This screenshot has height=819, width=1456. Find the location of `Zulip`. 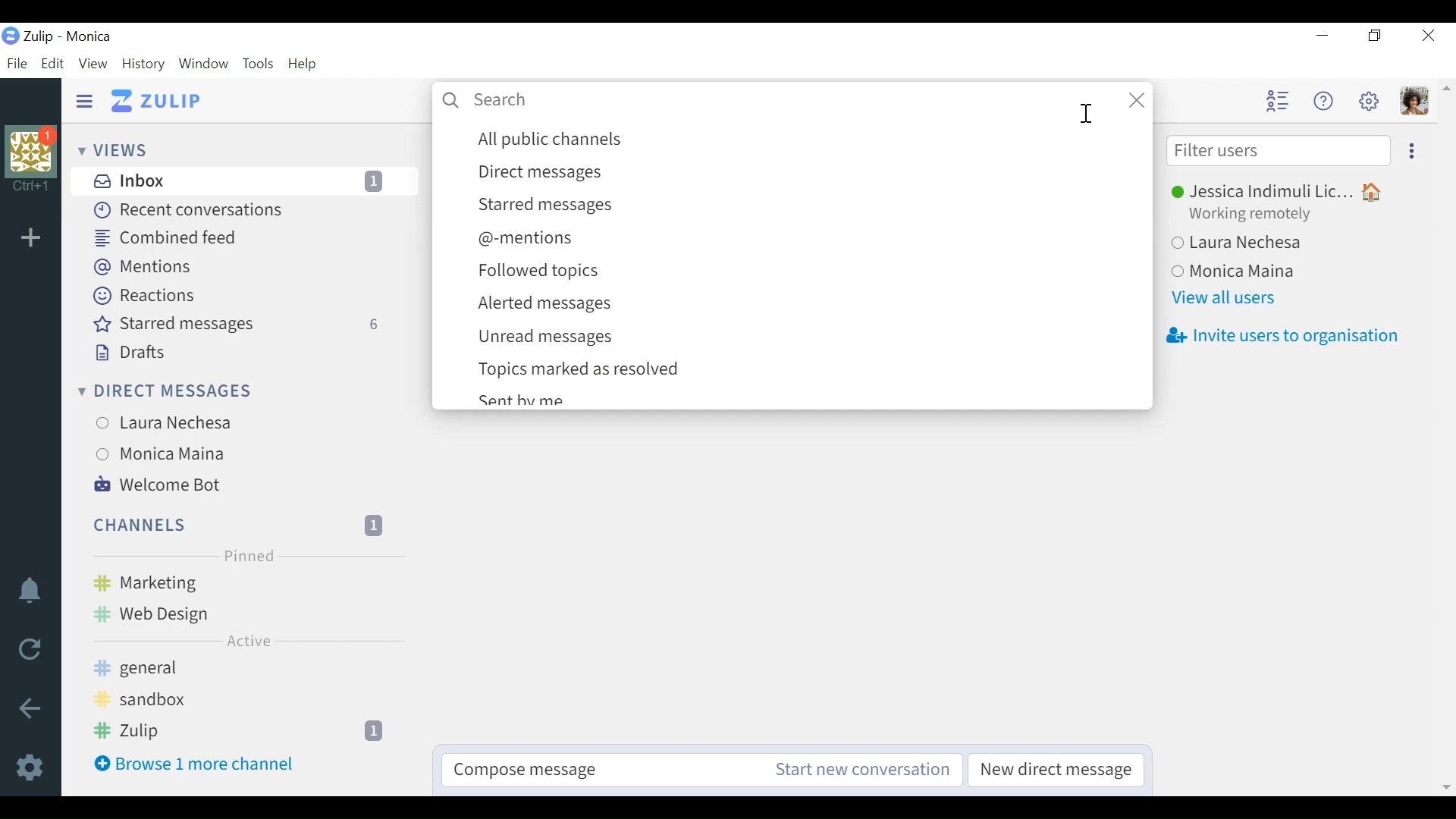

Zulip is located at coordinates (249, 731).